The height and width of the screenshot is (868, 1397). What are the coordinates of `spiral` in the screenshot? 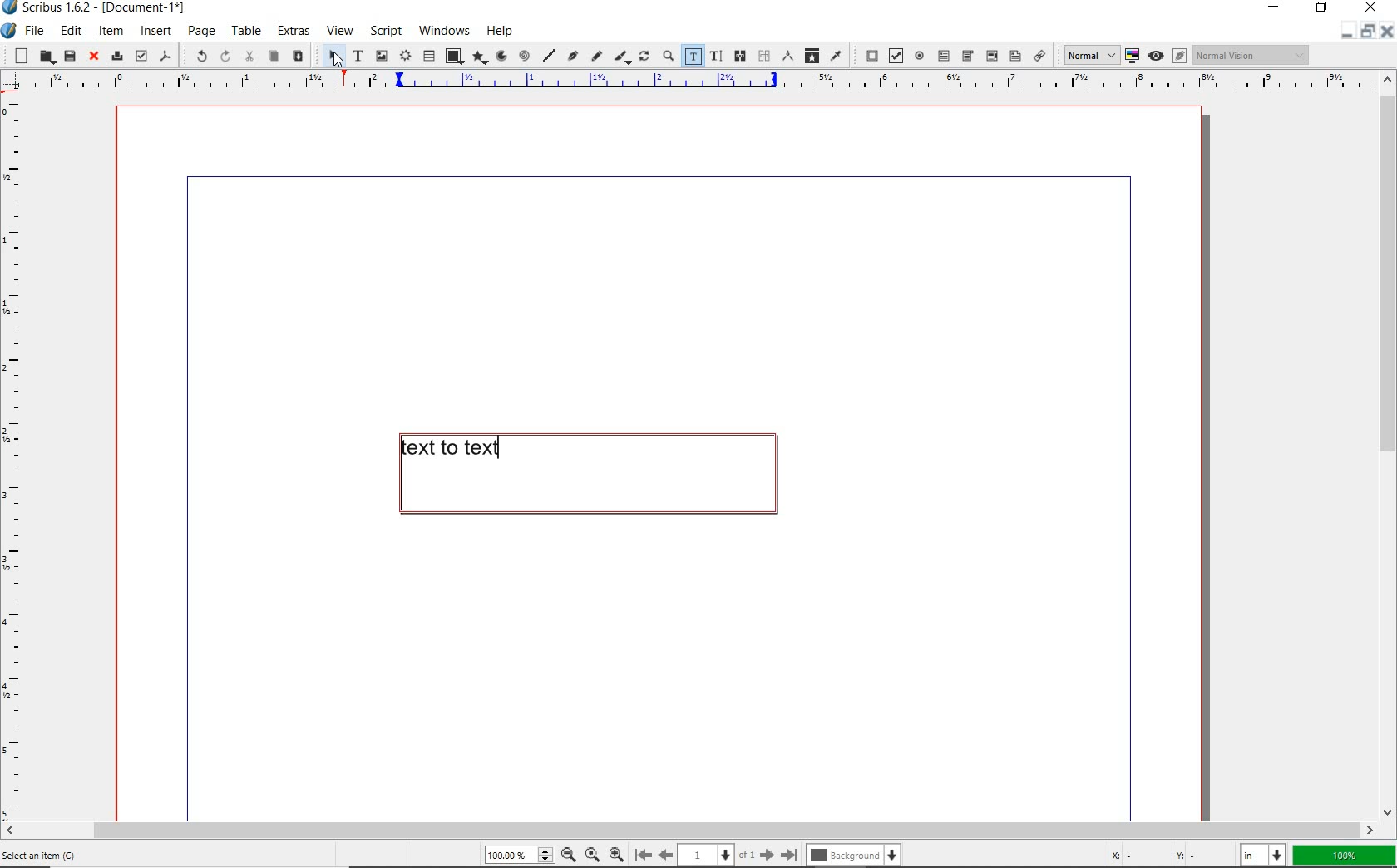 It's located at (524, 57).